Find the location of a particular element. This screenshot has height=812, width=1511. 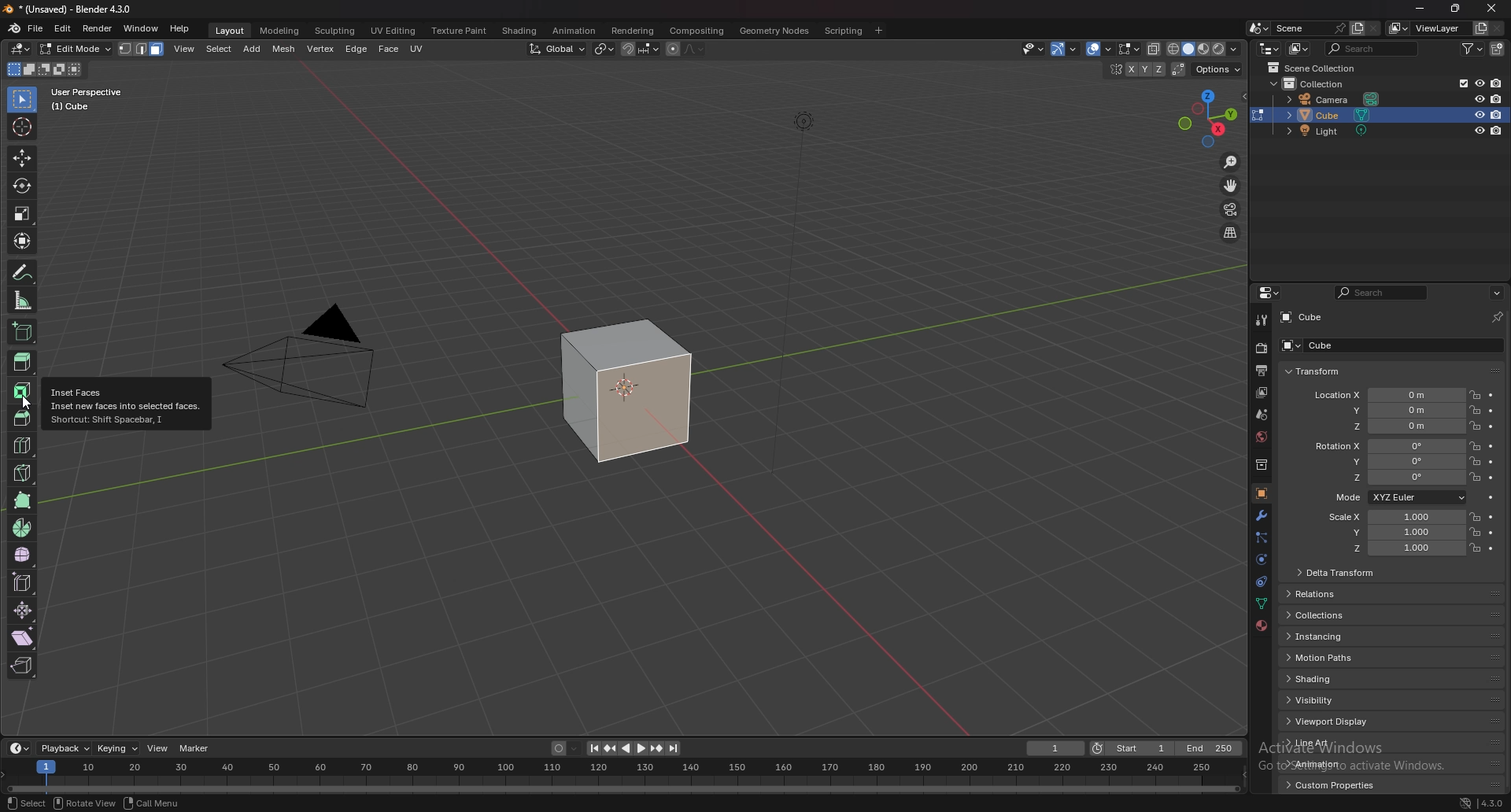

layout is located at coordinates (231, 31).